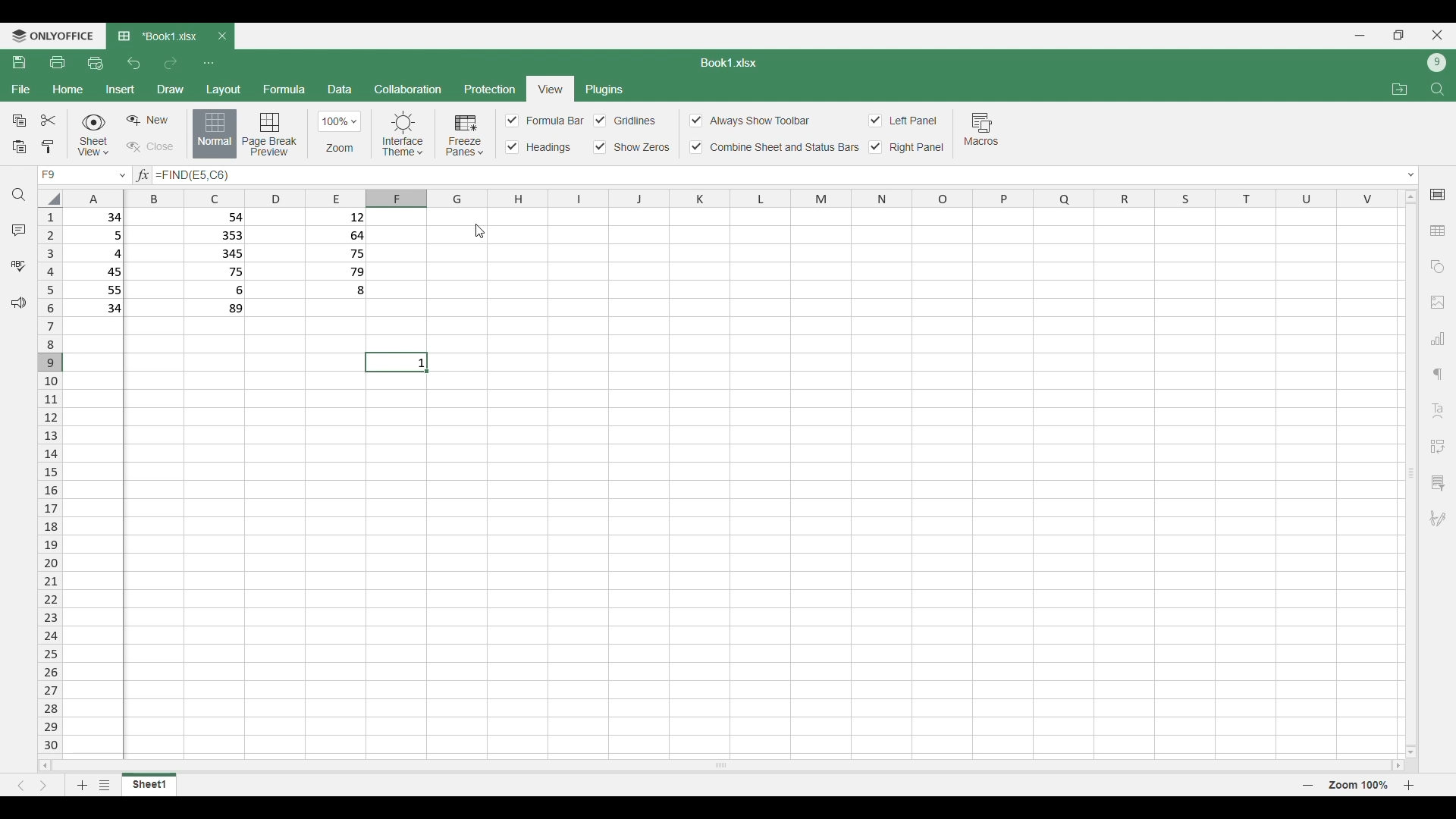 This screenshot has height=819, width=1456. I want to click on Click to select all cells, so click(50, 199).